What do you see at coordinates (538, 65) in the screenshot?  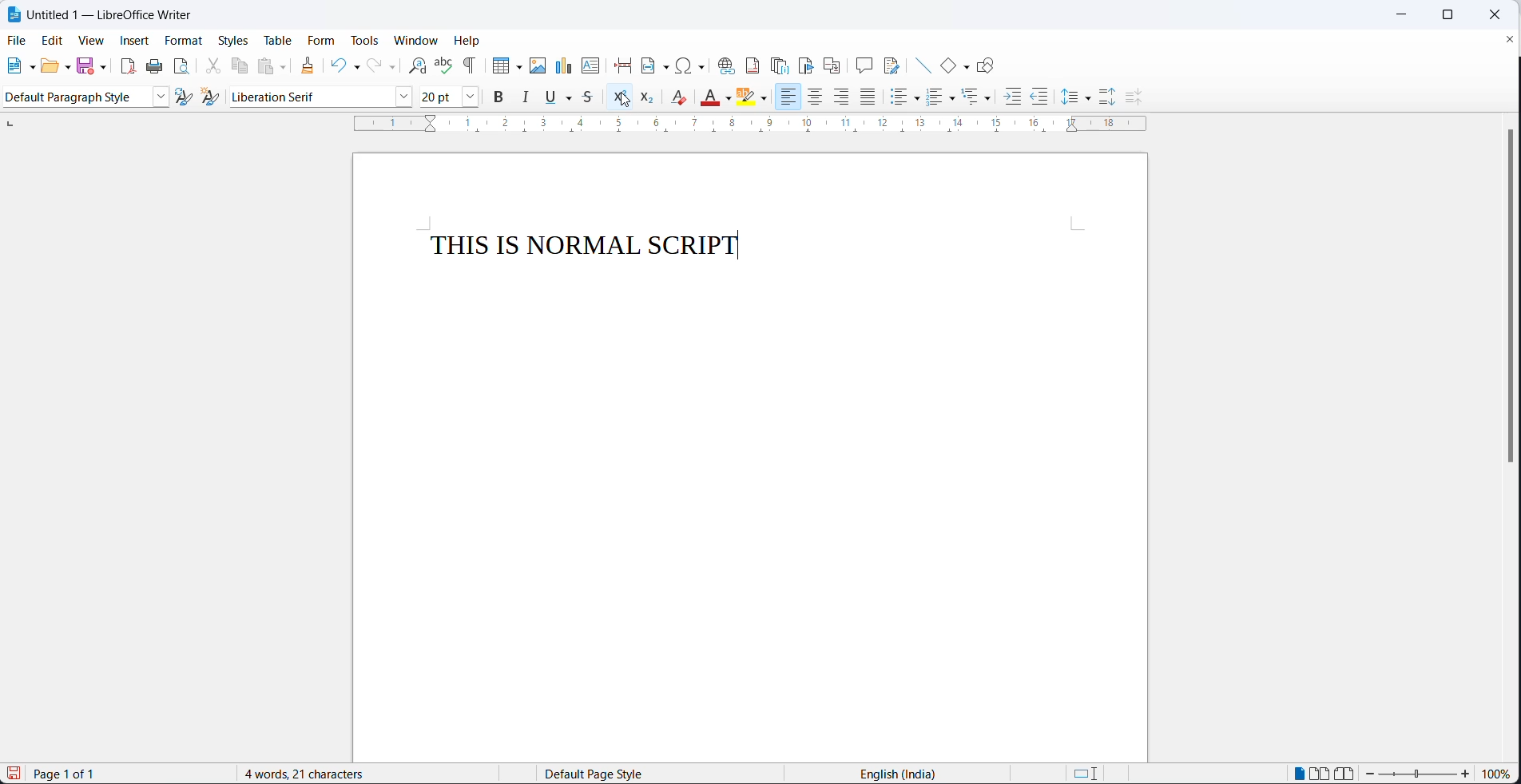 I see `insert images` at bounding box center [538, 65].